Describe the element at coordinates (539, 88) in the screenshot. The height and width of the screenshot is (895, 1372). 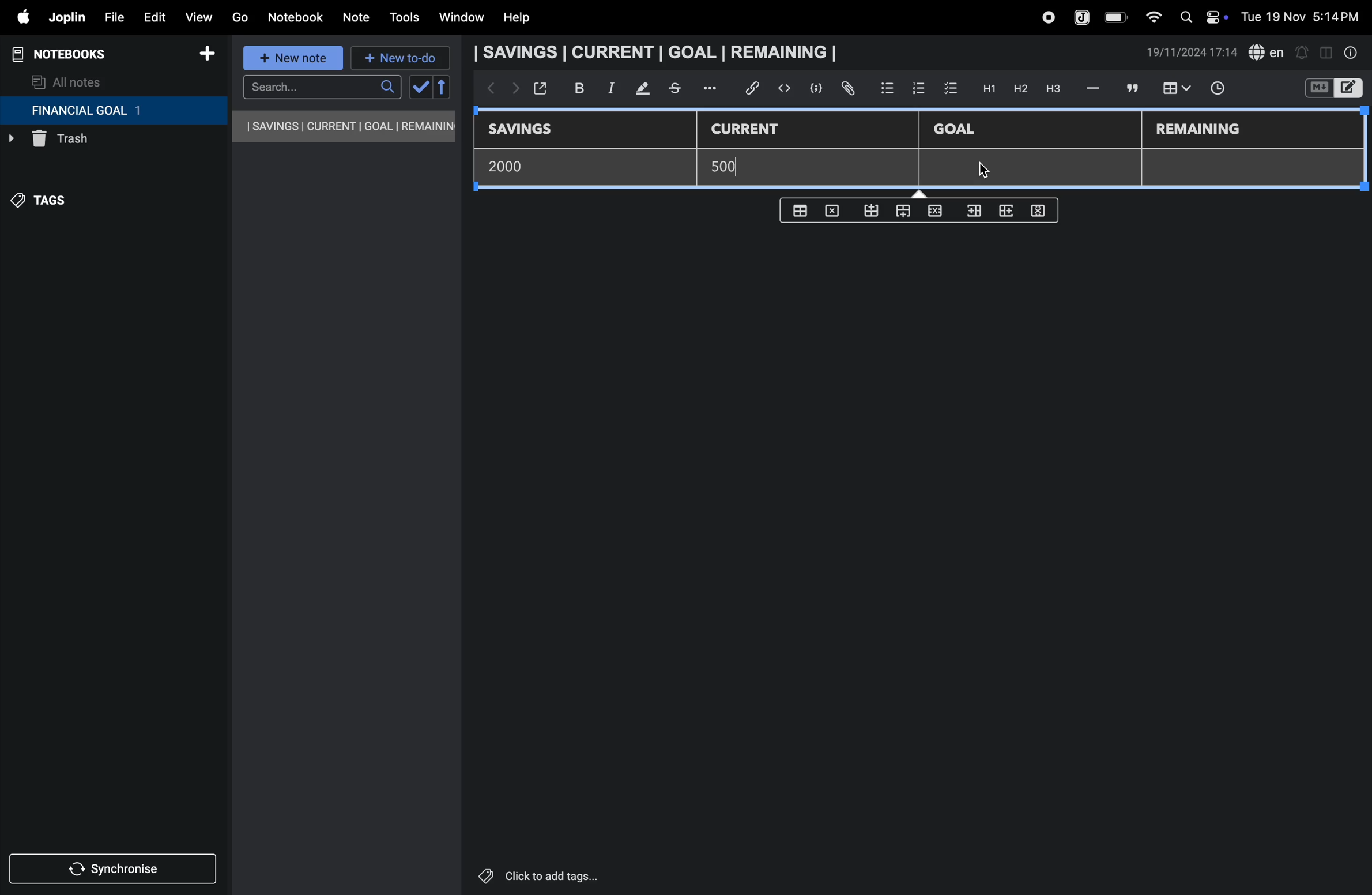
I see `open window` at that location.